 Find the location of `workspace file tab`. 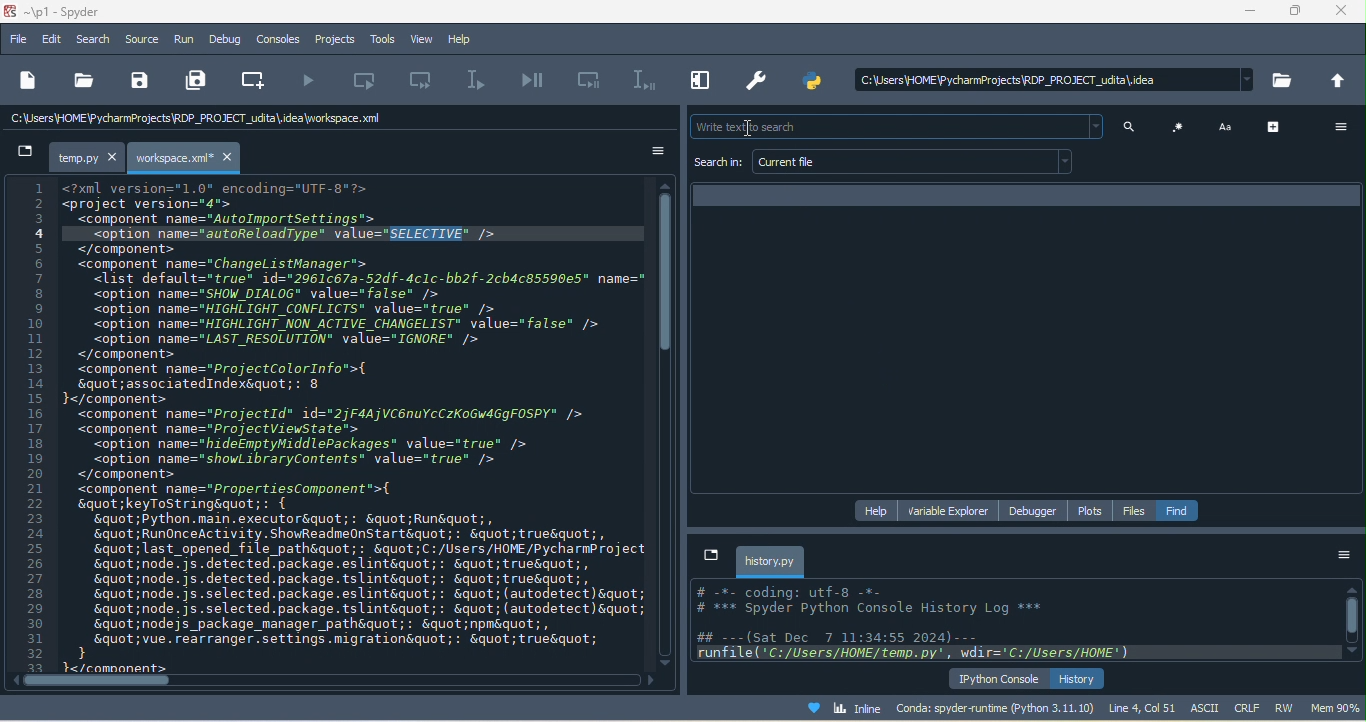

workspace file tab is located at coordinates (187, 158).